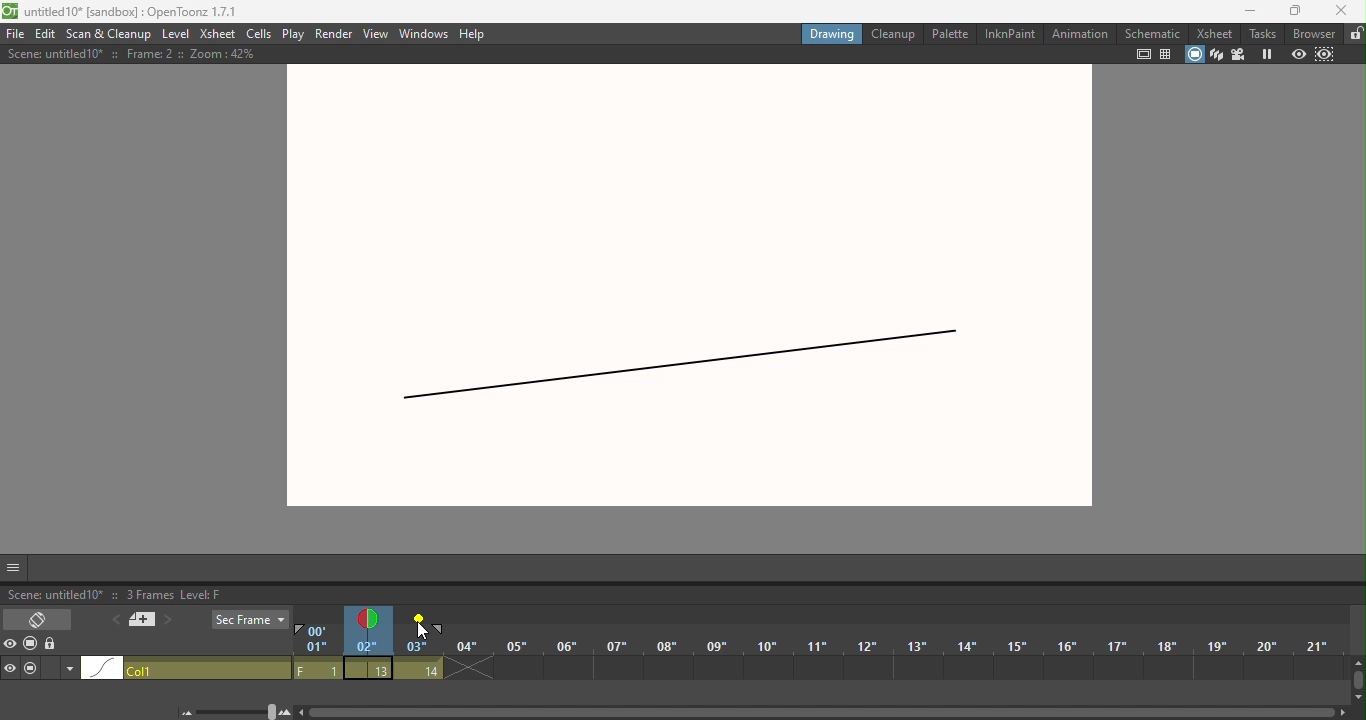 Image resolution: width=1366 pixels, height=720 pixels. Describe the element at coordinates (288, 712) in the screenshot. I see `Zoom in` at that location.